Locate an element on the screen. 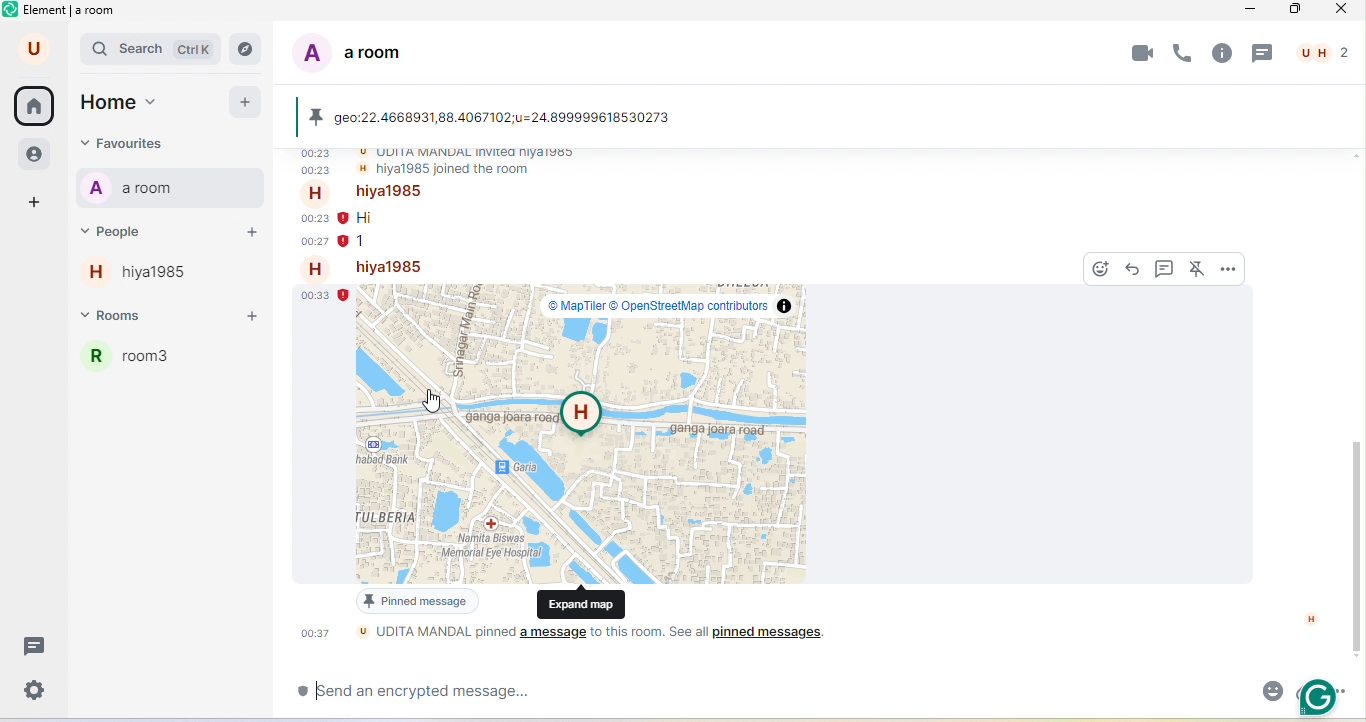 The image size is (1366, 722). hiya 1985 is located at coordinates (149, 277).